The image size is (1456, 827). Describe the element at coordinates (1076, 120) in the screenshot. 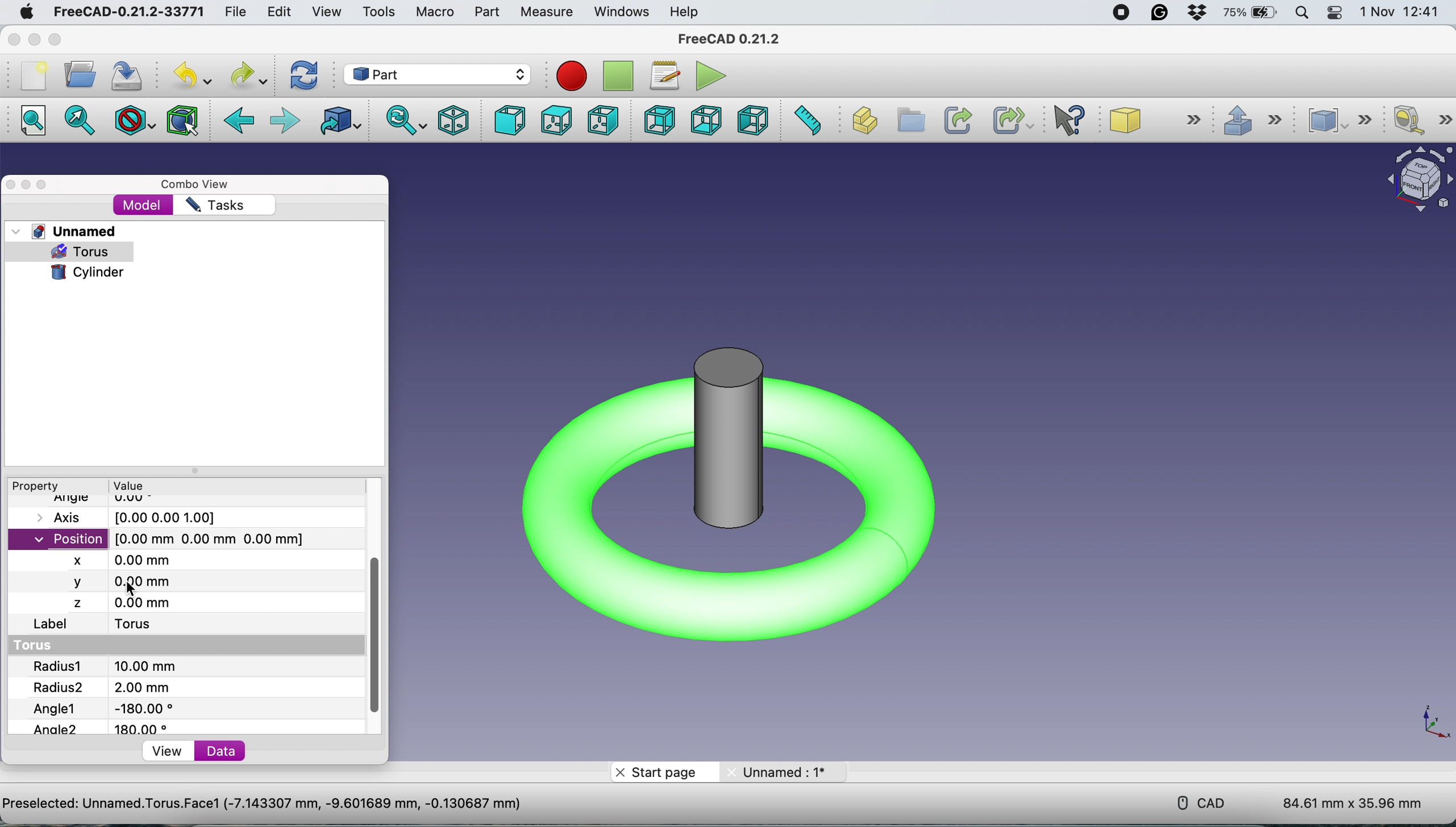

I see `what's this` at that location.